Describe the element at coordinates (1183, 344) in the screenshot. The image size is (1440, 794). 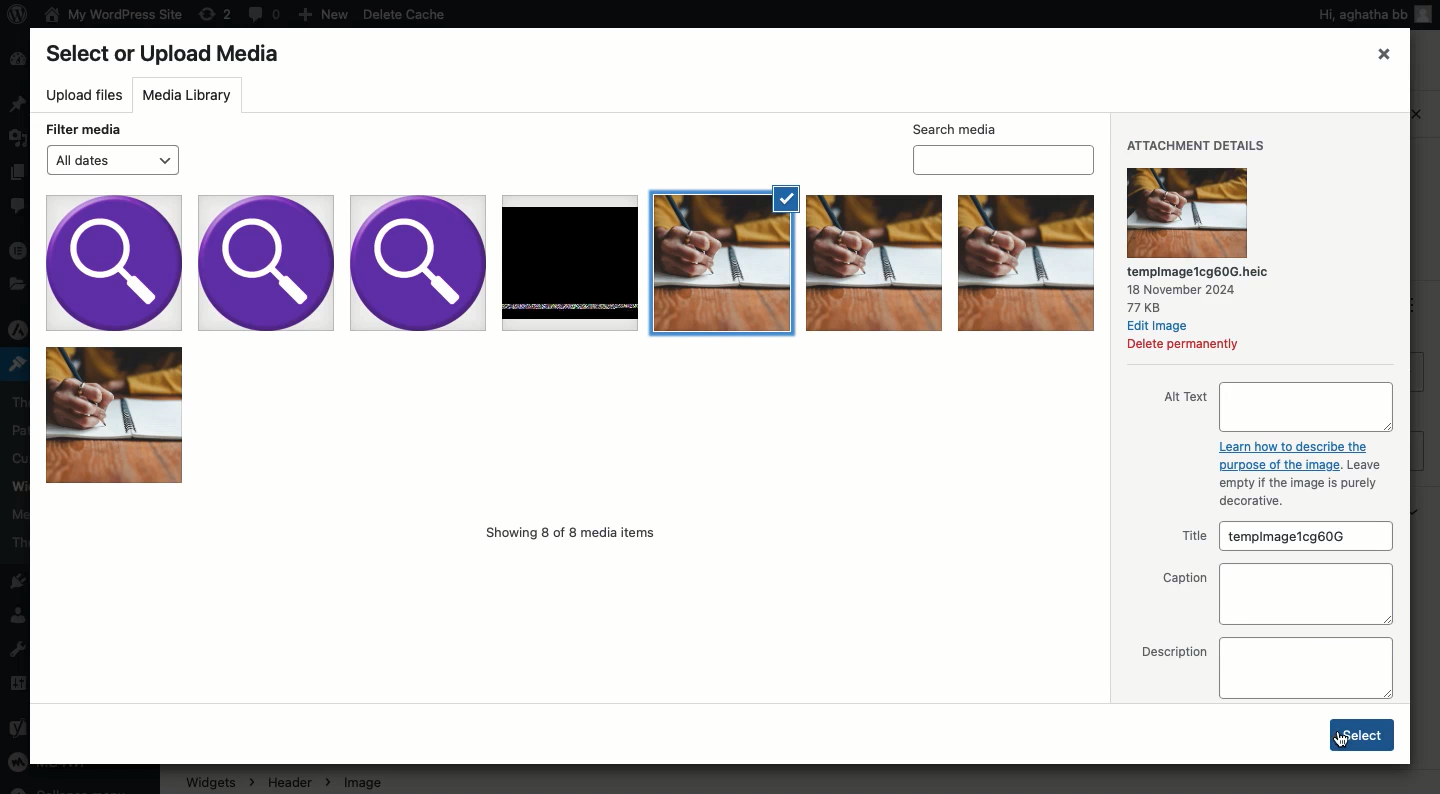
I see `Delete permanently` at that location.